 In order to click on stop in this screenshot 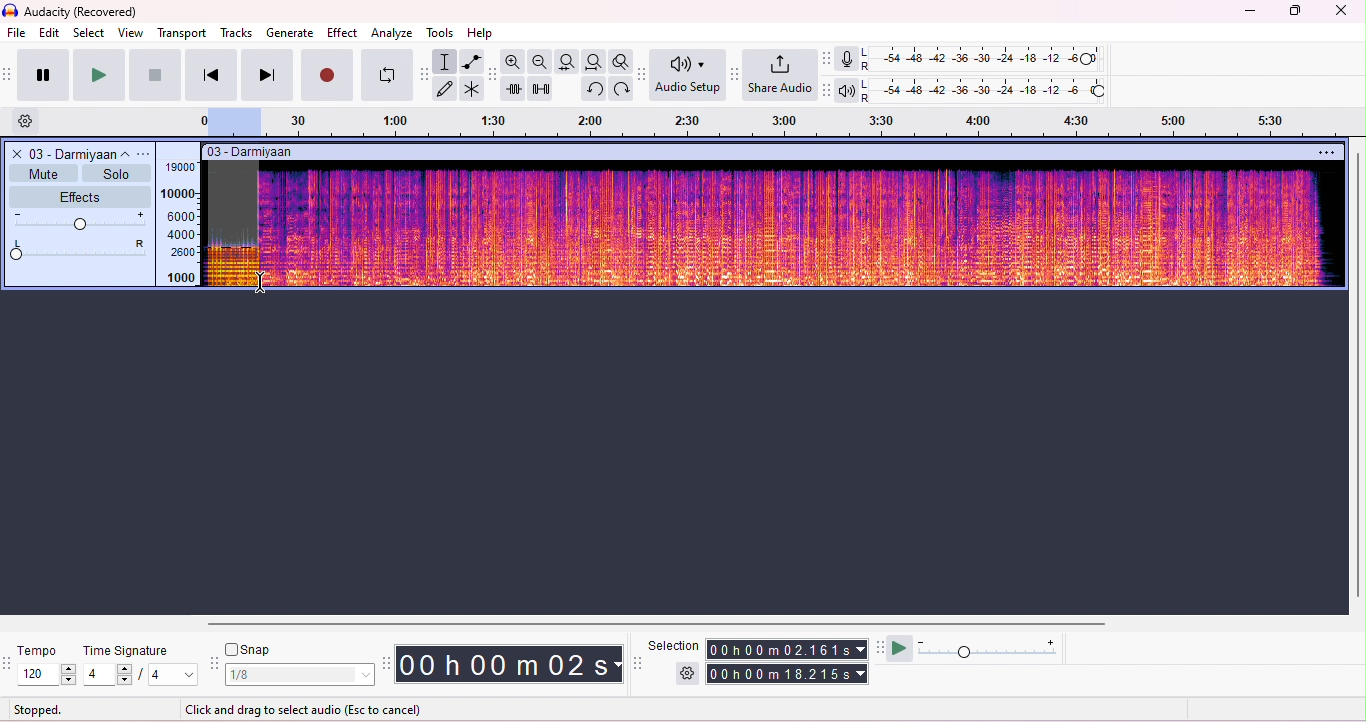, I will do `click(155, 74)`.